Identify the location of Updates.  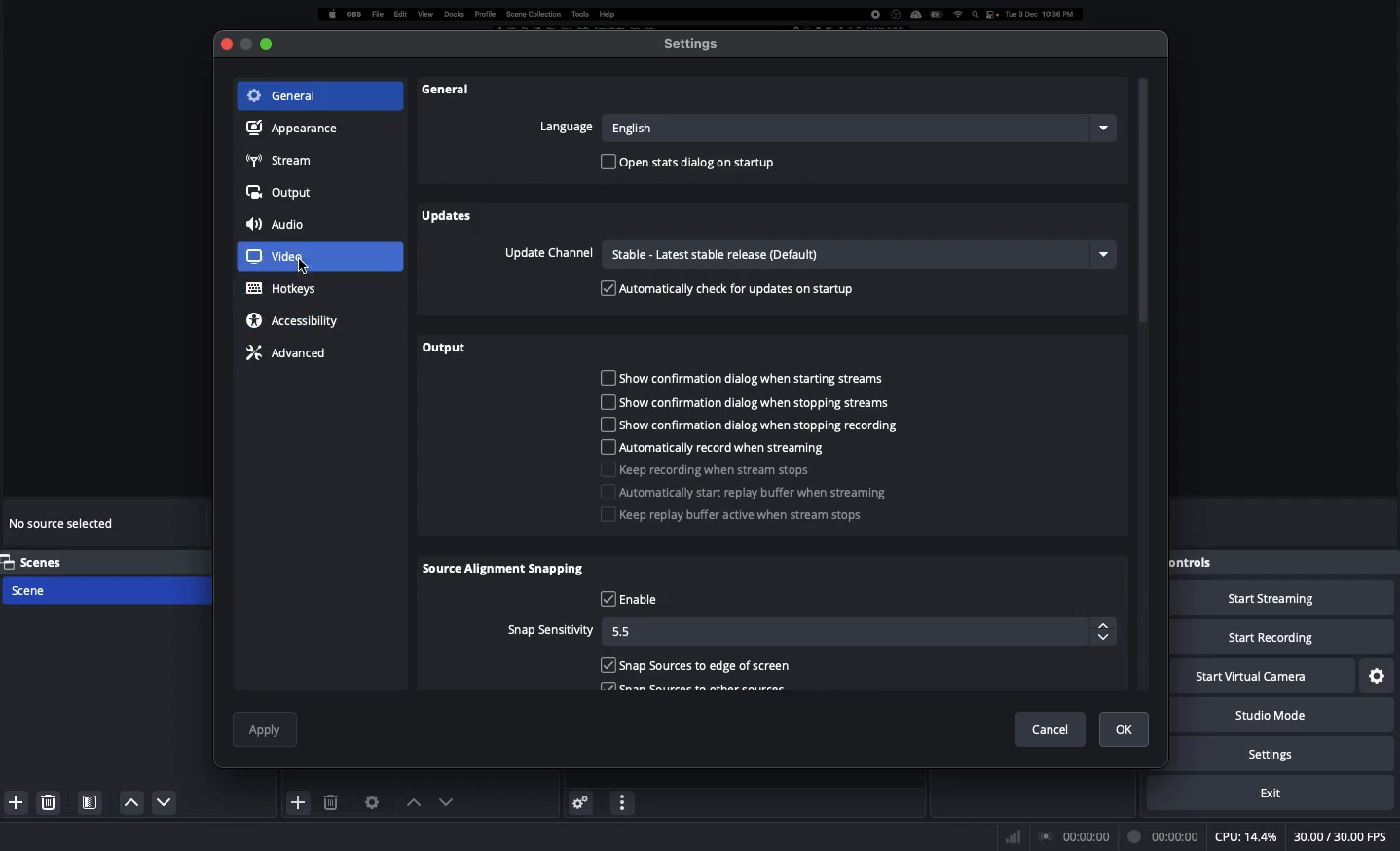
(448, 217).